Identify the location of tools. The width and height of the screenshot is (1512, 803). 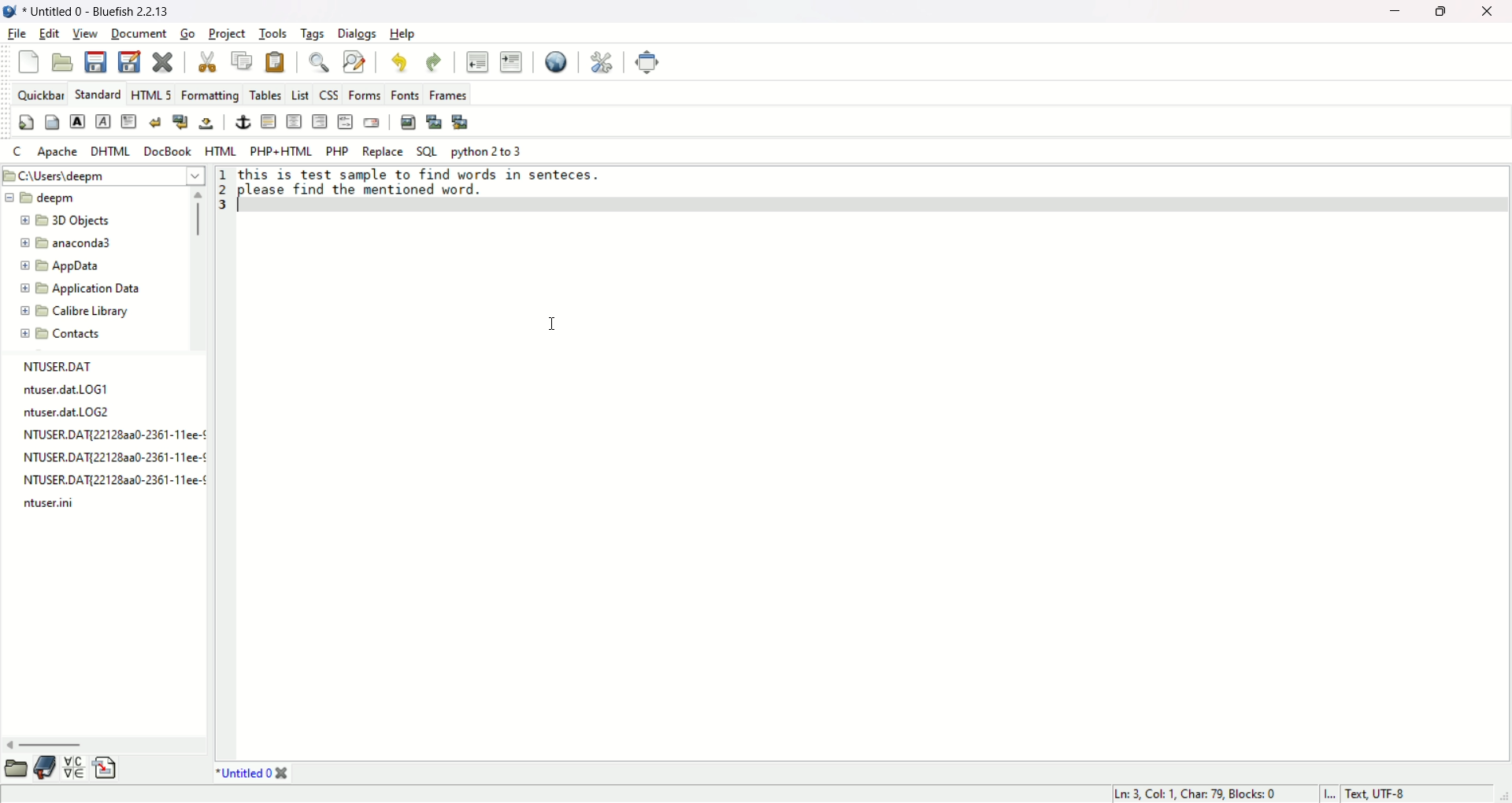
(273, 32).